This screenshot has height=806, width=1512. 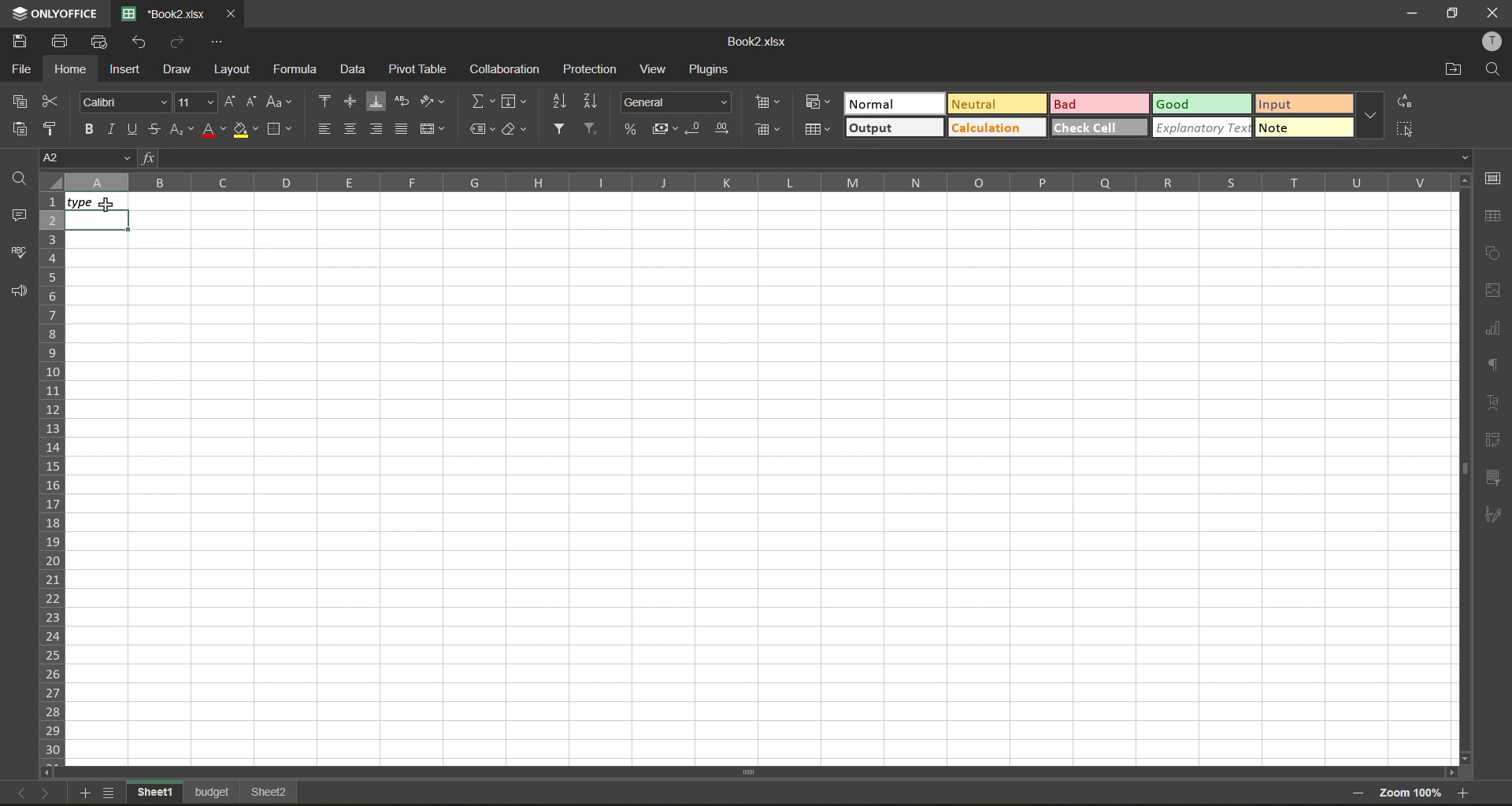 I want to click on conditional formatting, so click(x=817, y=102).